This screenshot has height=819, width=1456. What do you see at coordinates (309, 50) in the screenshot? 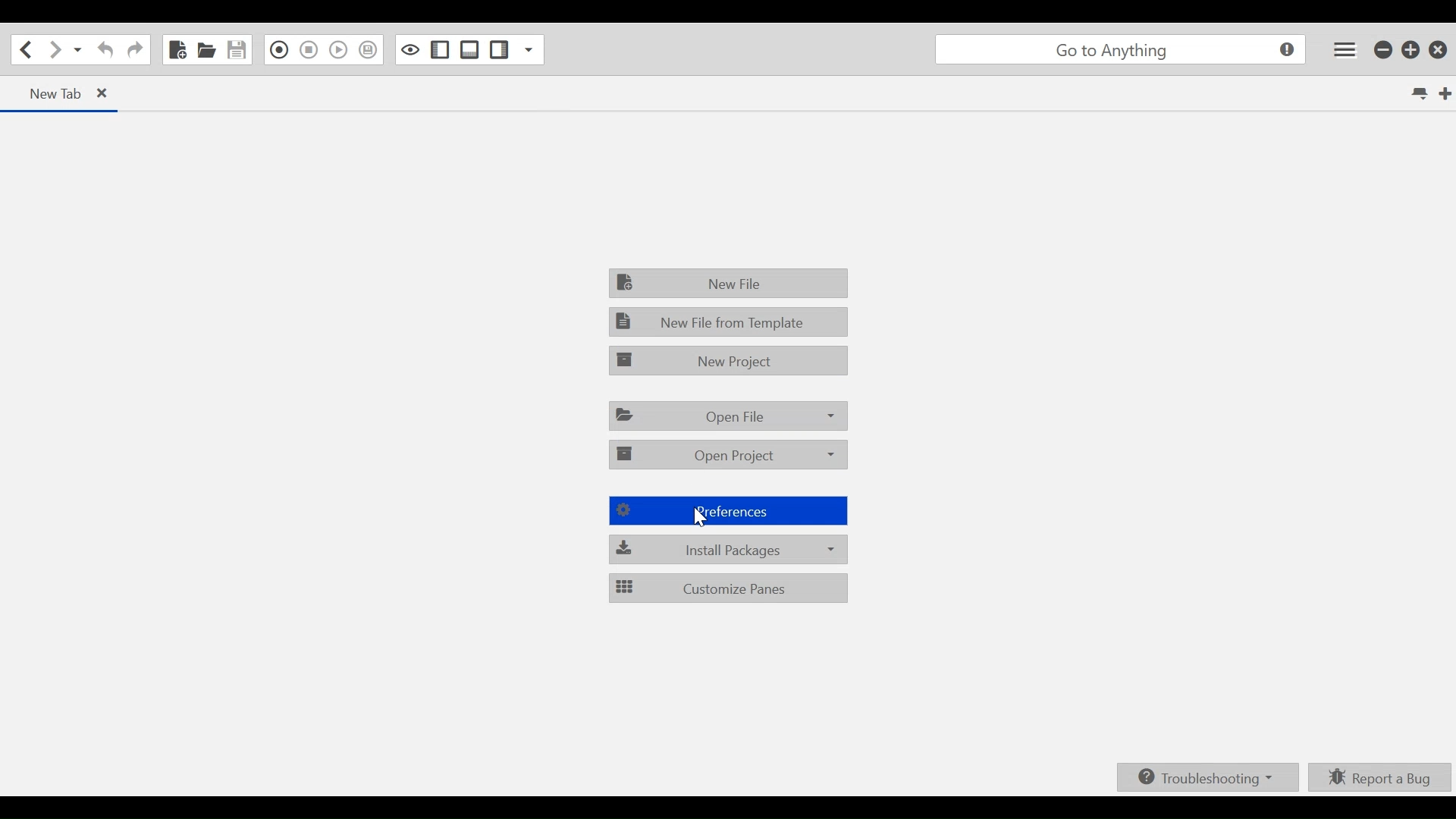
I see `Stop Recording Macro` at bounding box center [309, 50].